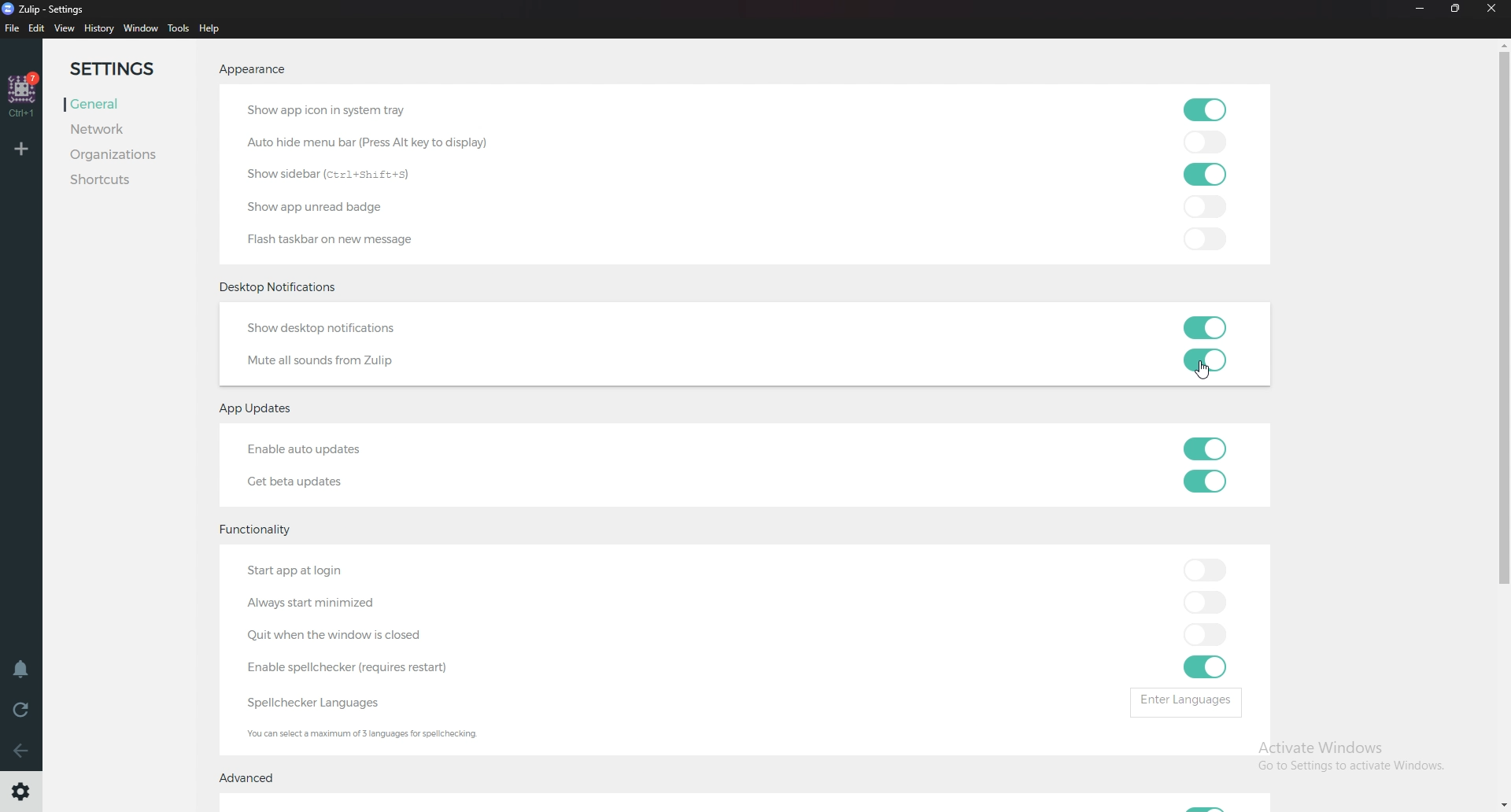 This screenshot has width=1511, height=812. I want to click on file, so click(13, 28).